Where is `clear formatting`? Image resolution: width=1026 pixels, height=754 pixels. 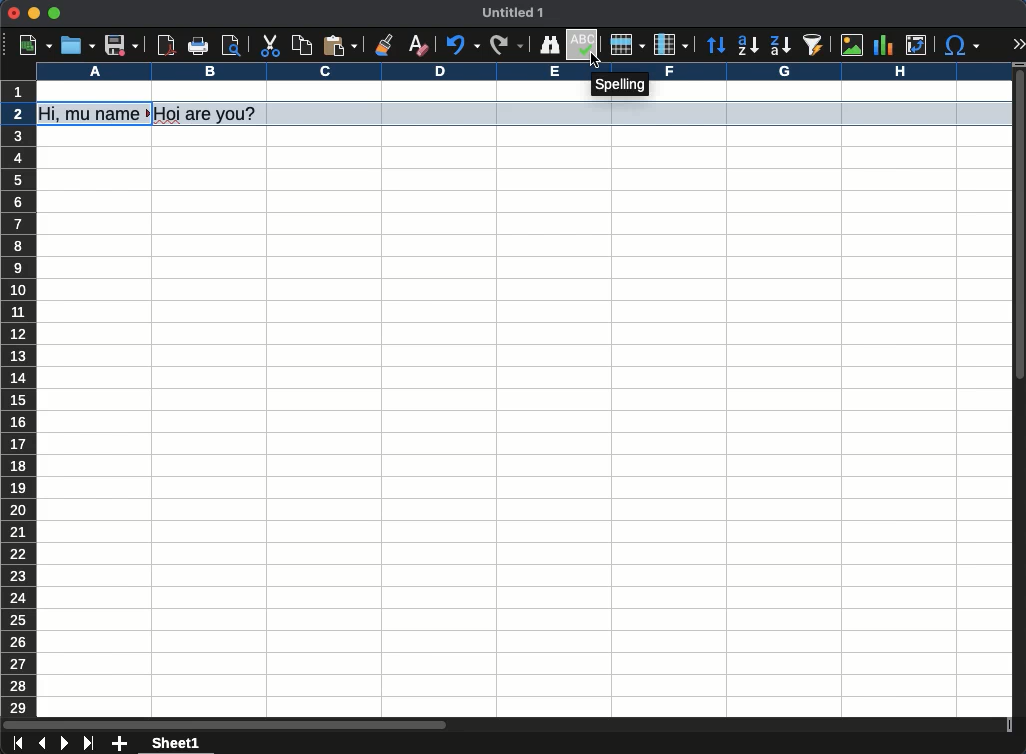 clear formatting is located at coordinates (421, 43).